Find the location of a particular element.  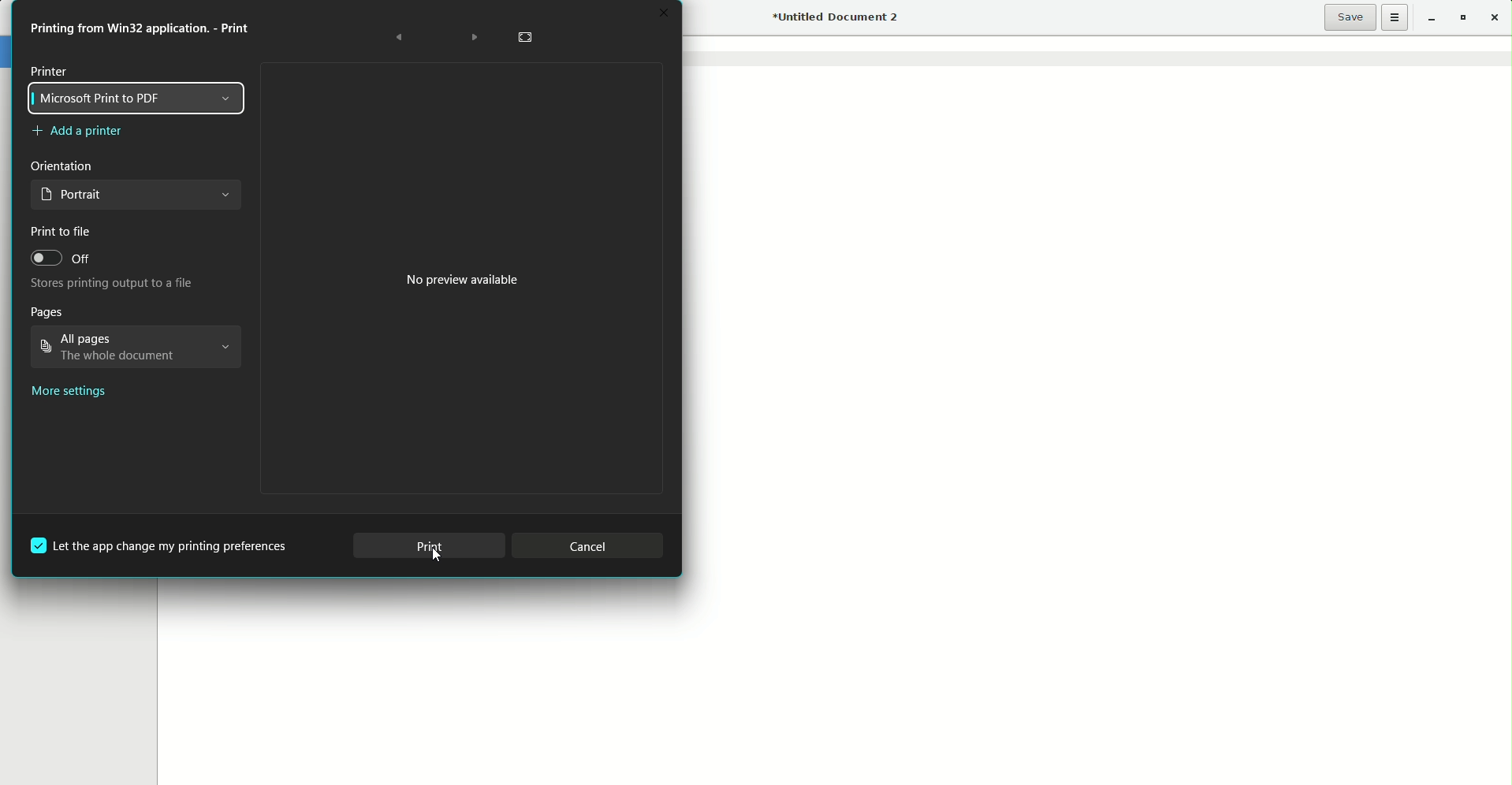

App pages is located at coordinates (136, 349).